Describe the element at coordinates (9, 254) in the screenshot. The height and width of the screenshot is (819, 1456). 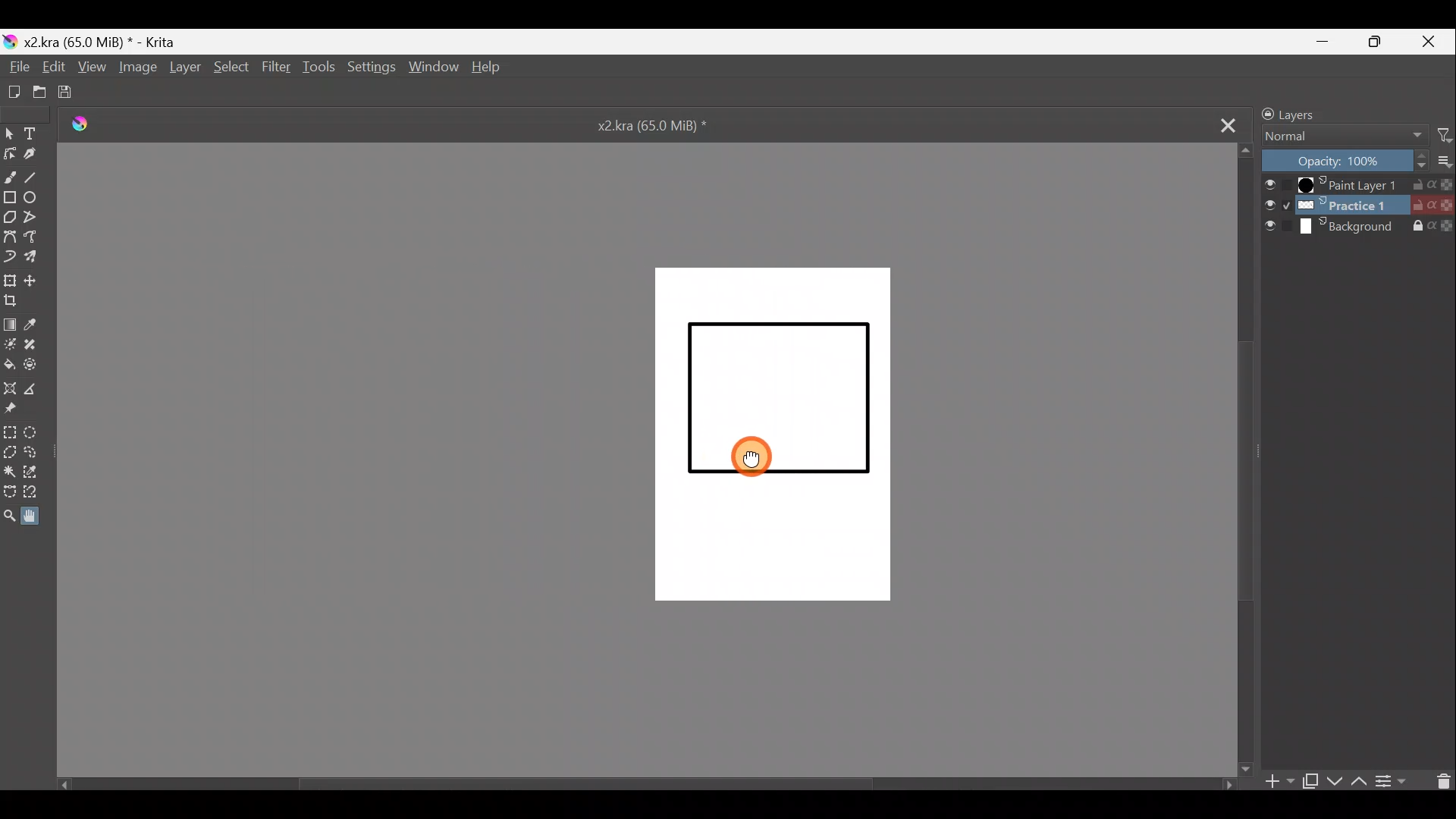
I see `Dynamic brush tool` at that location.